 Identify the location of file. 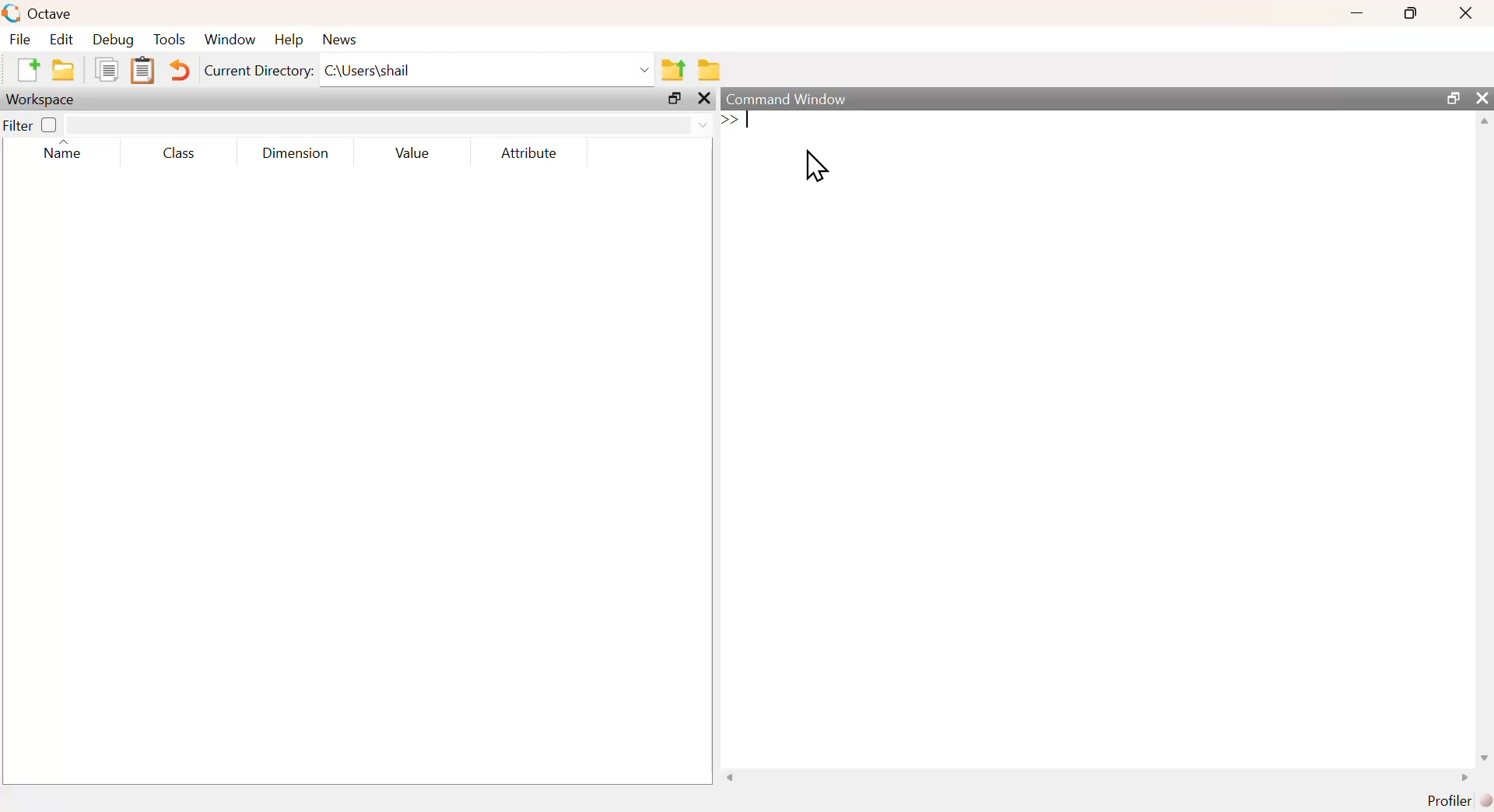
(21, 40).